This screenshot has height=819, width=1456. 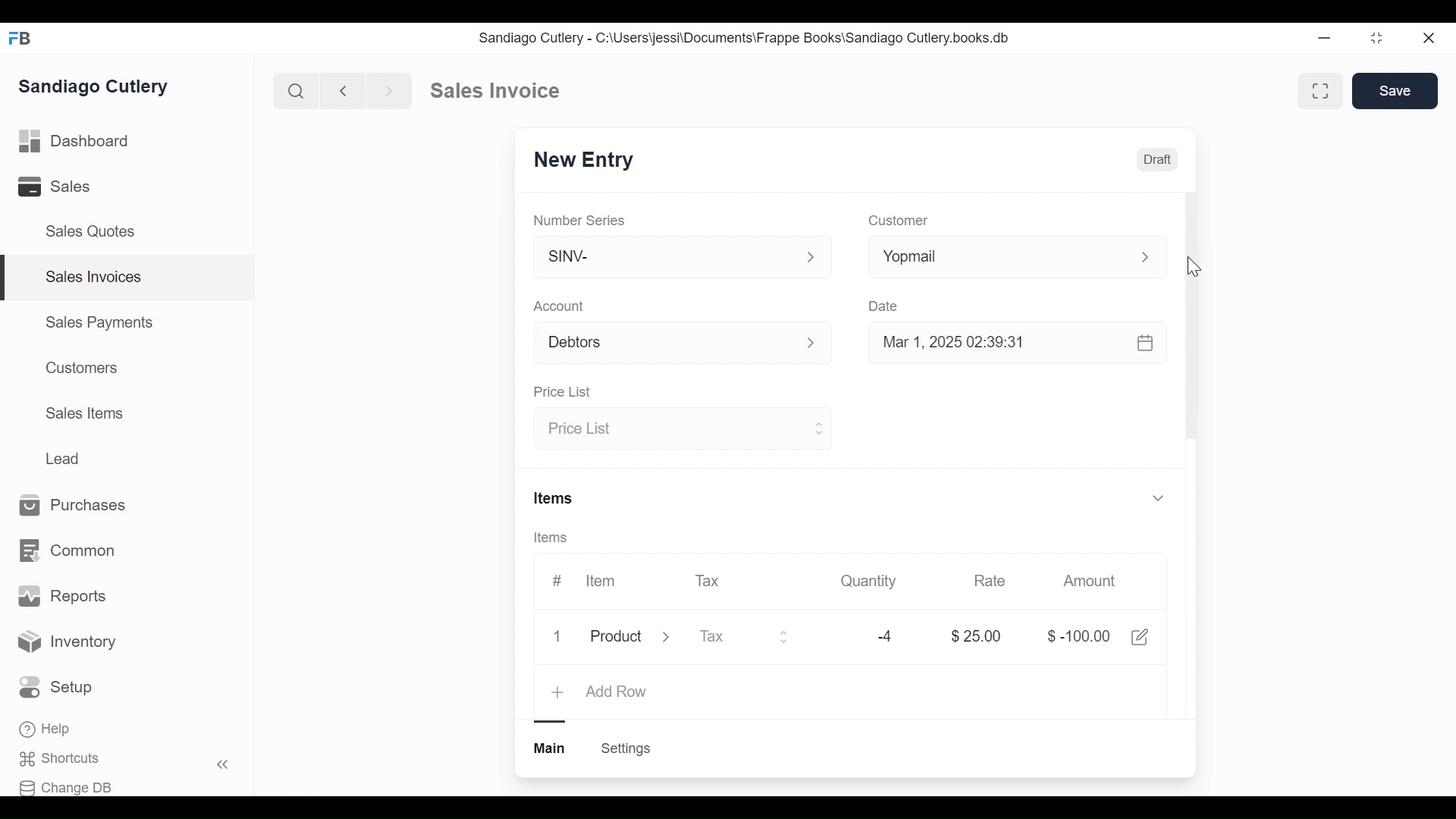 I want to click on Customer, so click(x=901, y=219).